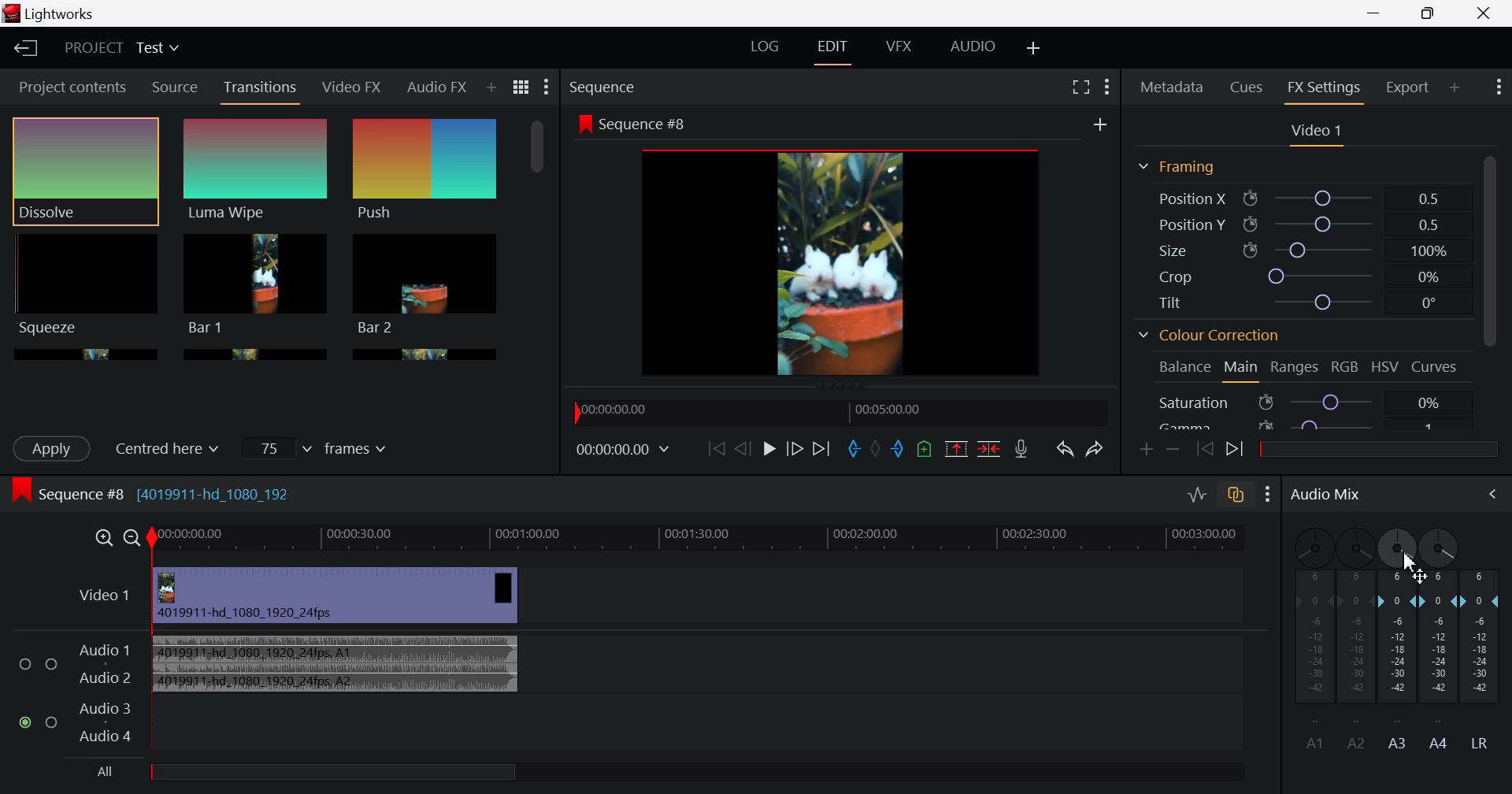 The image size is (1512, 794). What do you see at coordinates (426, 171) in the screenshot?
I see `Push` at bounding box center [426, 171].